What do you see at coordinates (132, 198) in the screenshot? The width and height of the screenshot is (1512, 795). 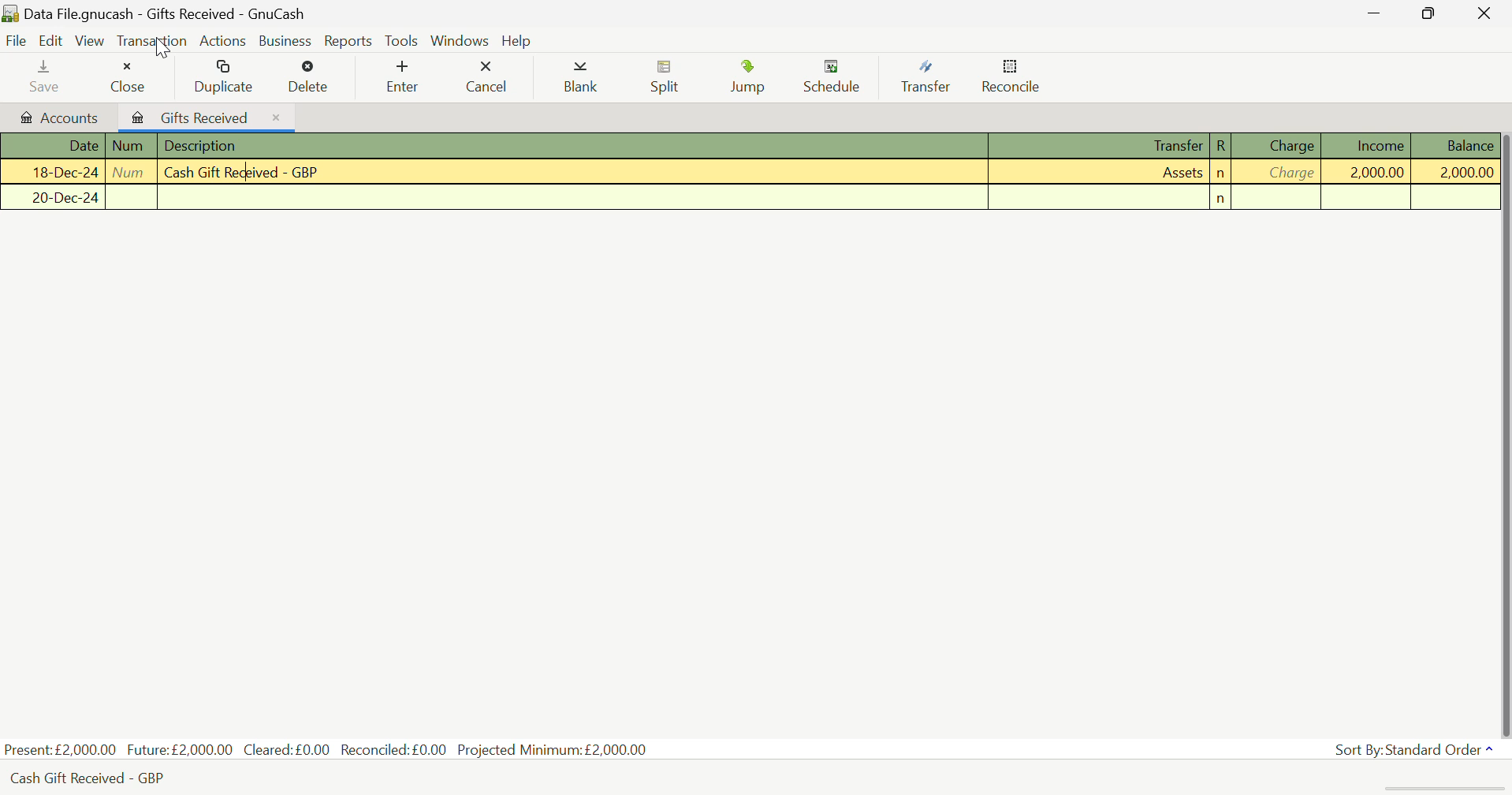 I see `Num` at bounding box center [132, 198].